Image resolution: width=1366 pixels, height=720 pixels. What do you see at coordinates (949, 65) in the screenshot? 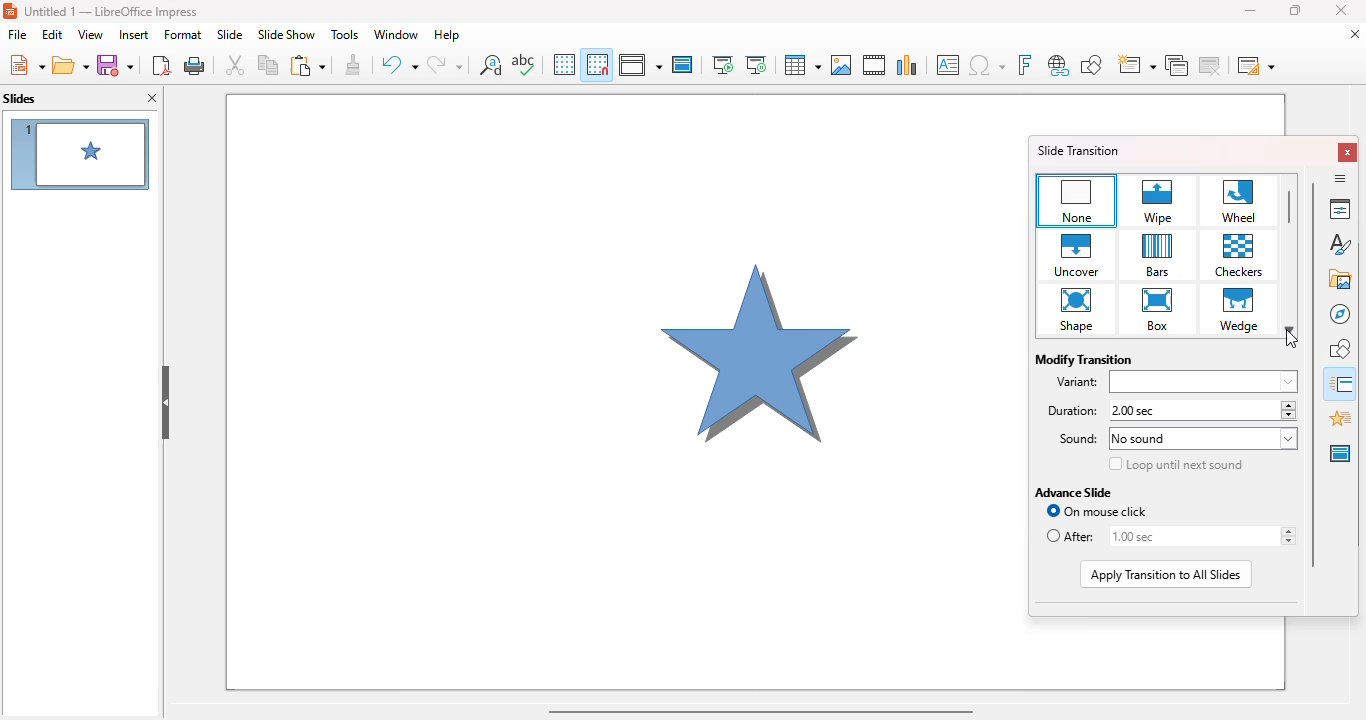
I see `insert text box` at bounding box center [949, 65].